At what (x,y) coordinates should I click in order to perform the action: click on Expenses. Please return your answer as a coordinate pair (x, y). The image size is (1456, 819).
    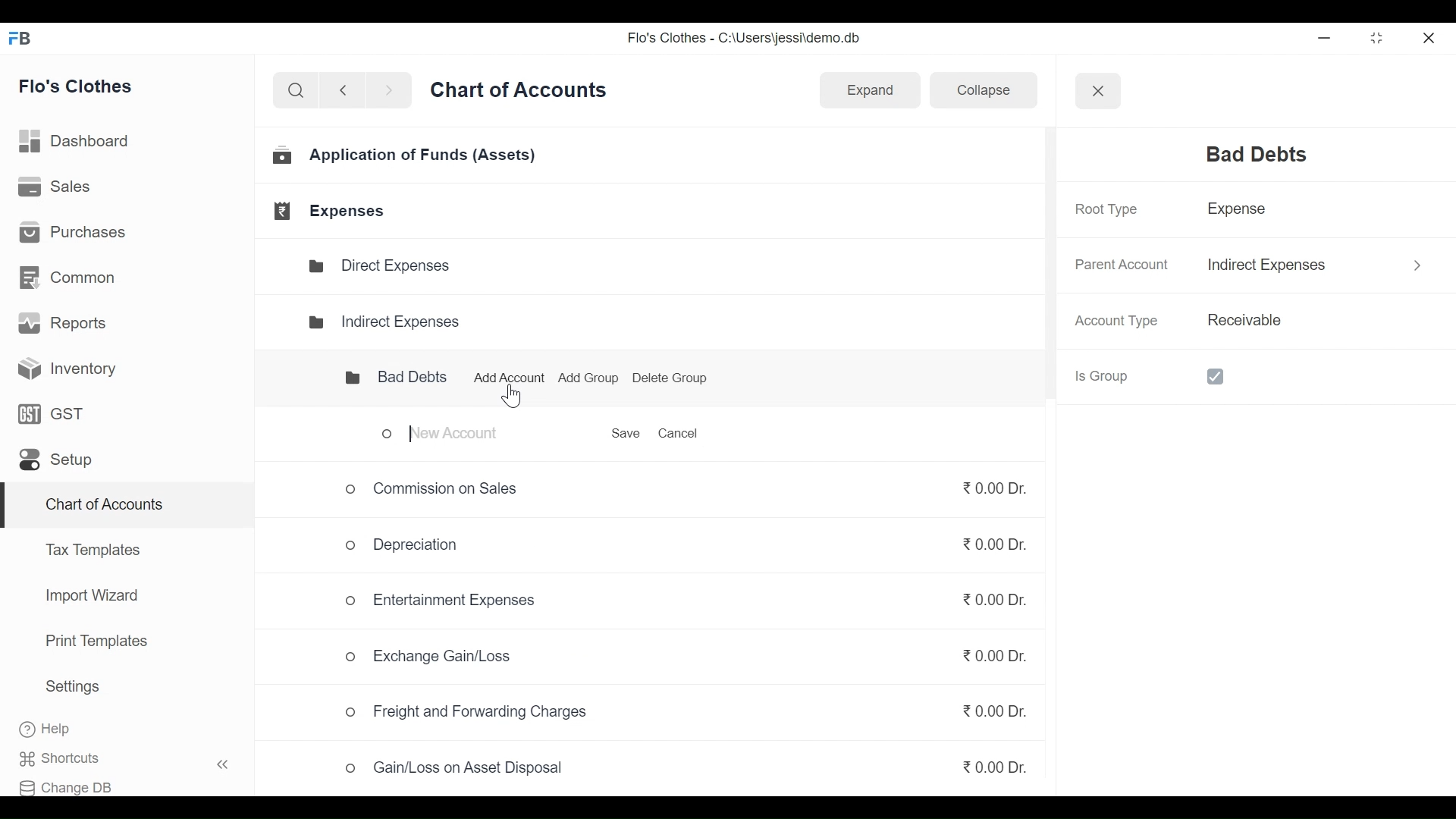
    Looking at the image, I should click on (332, 211).